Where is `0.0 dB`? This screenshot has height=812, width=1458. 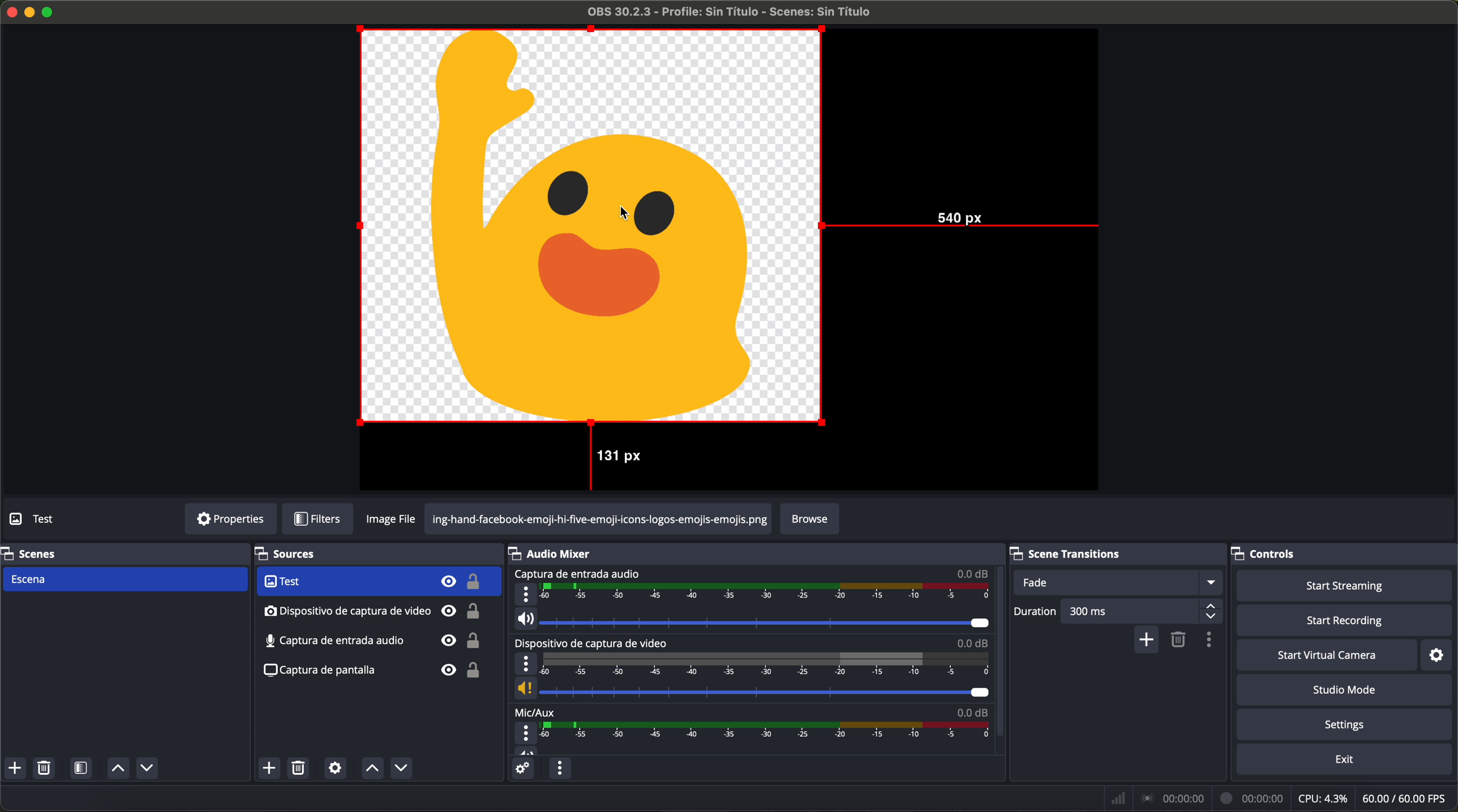 0.0 dB is located at coordinates (973, 643).